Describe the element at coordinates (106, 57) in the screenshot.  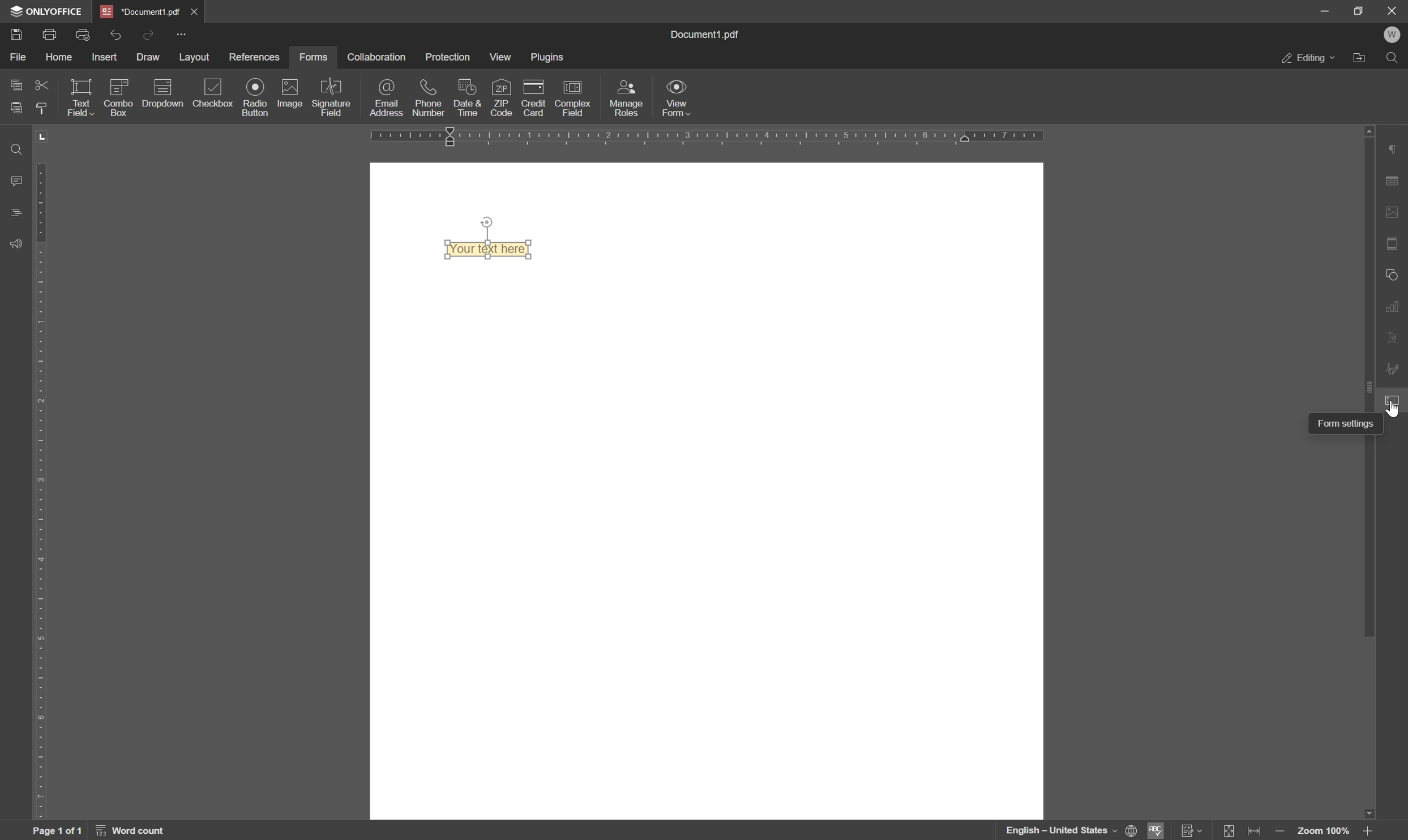
I see `insert` at that location.